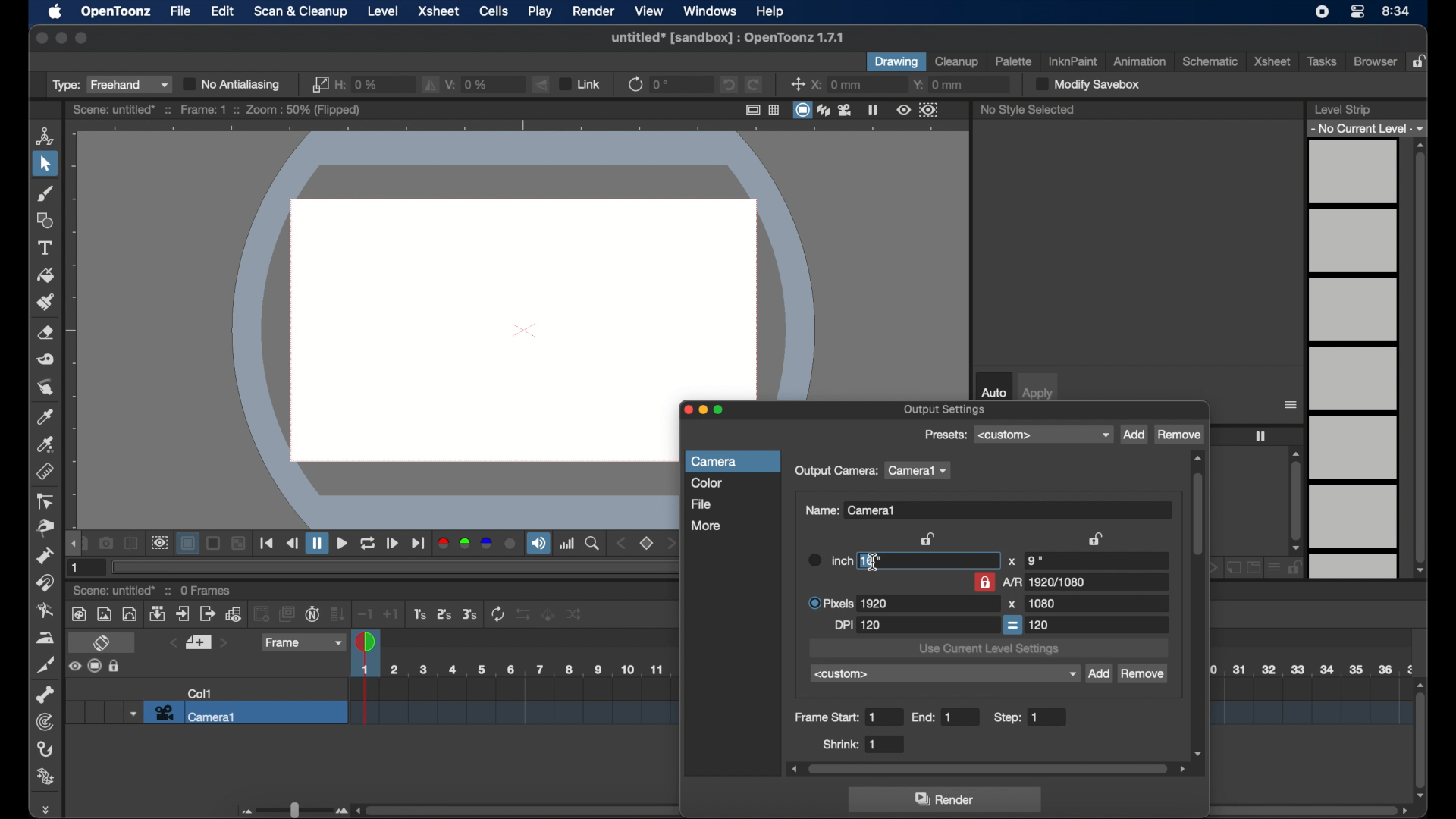 Image resolution: width=1456 pixels, height=819 pixels. What do you see at coordinates (947, 800) in the screenshot?
I see `render` at bounding box center [947, 800].